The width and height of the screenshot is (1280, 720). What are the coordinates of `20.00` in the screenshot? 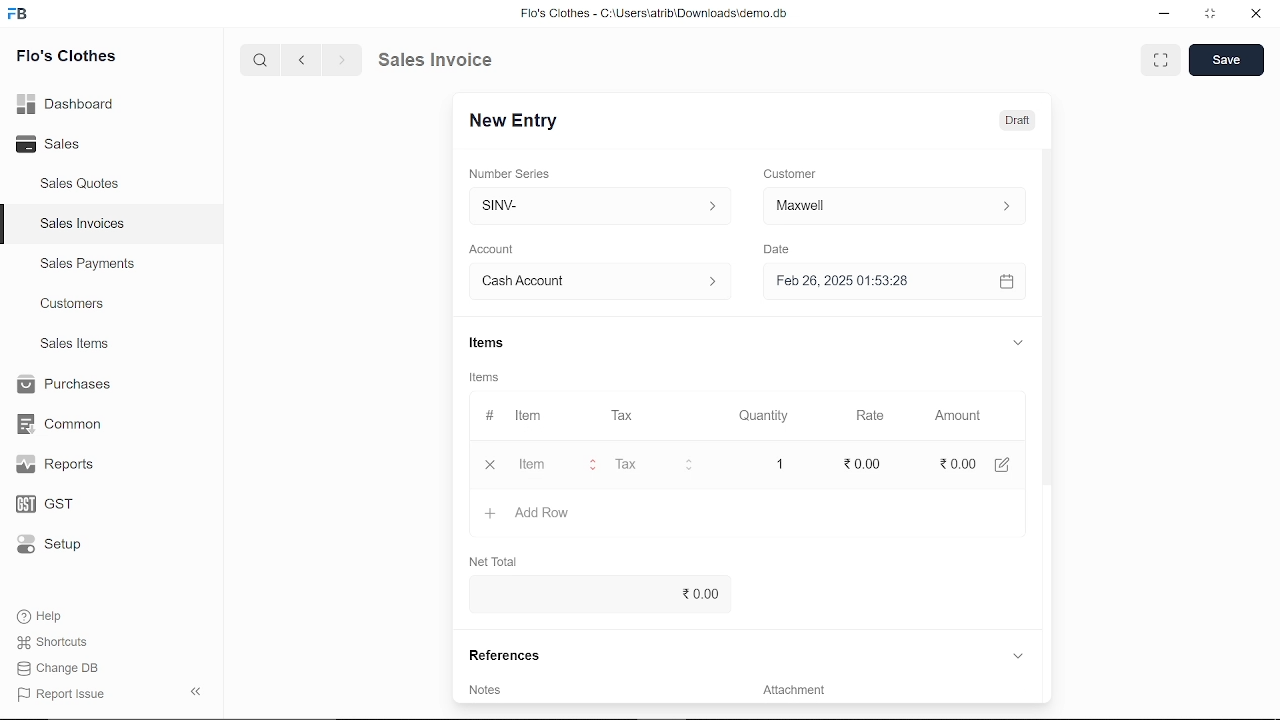 It's located at (867, 464).